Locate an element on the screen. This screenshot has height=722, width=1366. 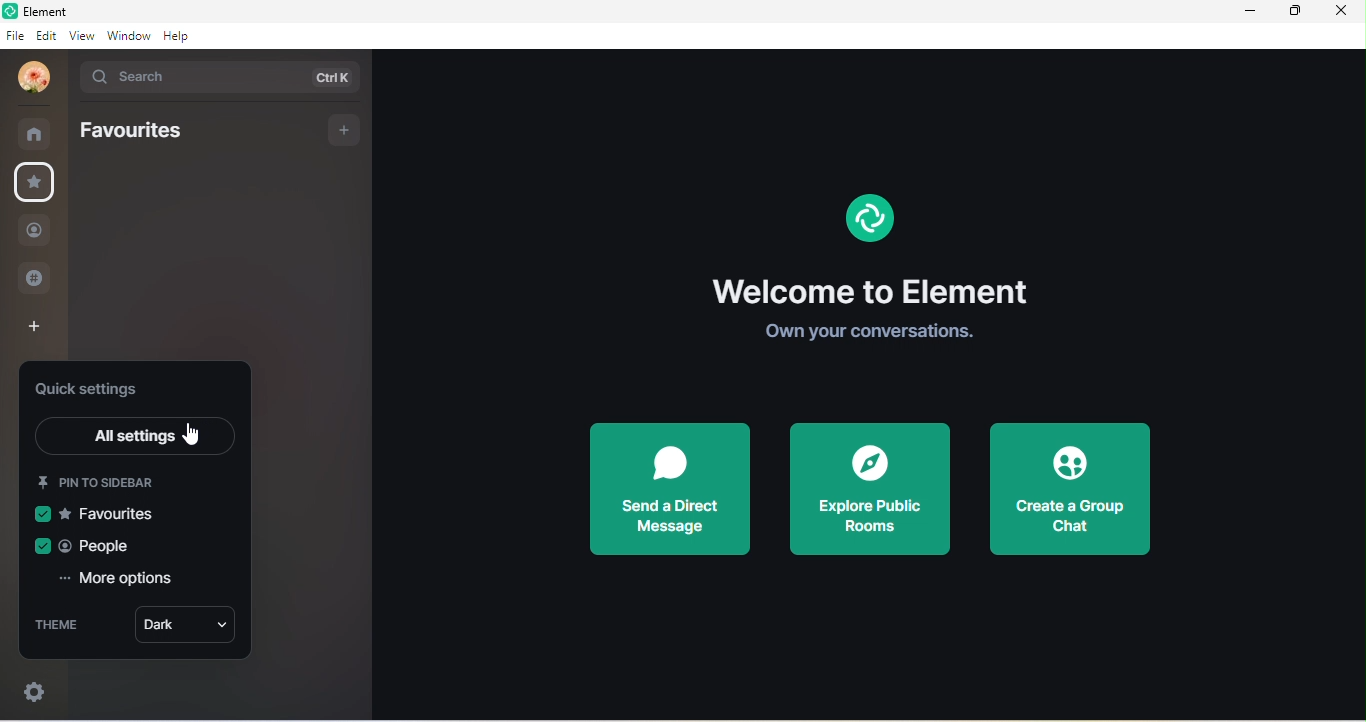
help is located at coordinates (178, 36).